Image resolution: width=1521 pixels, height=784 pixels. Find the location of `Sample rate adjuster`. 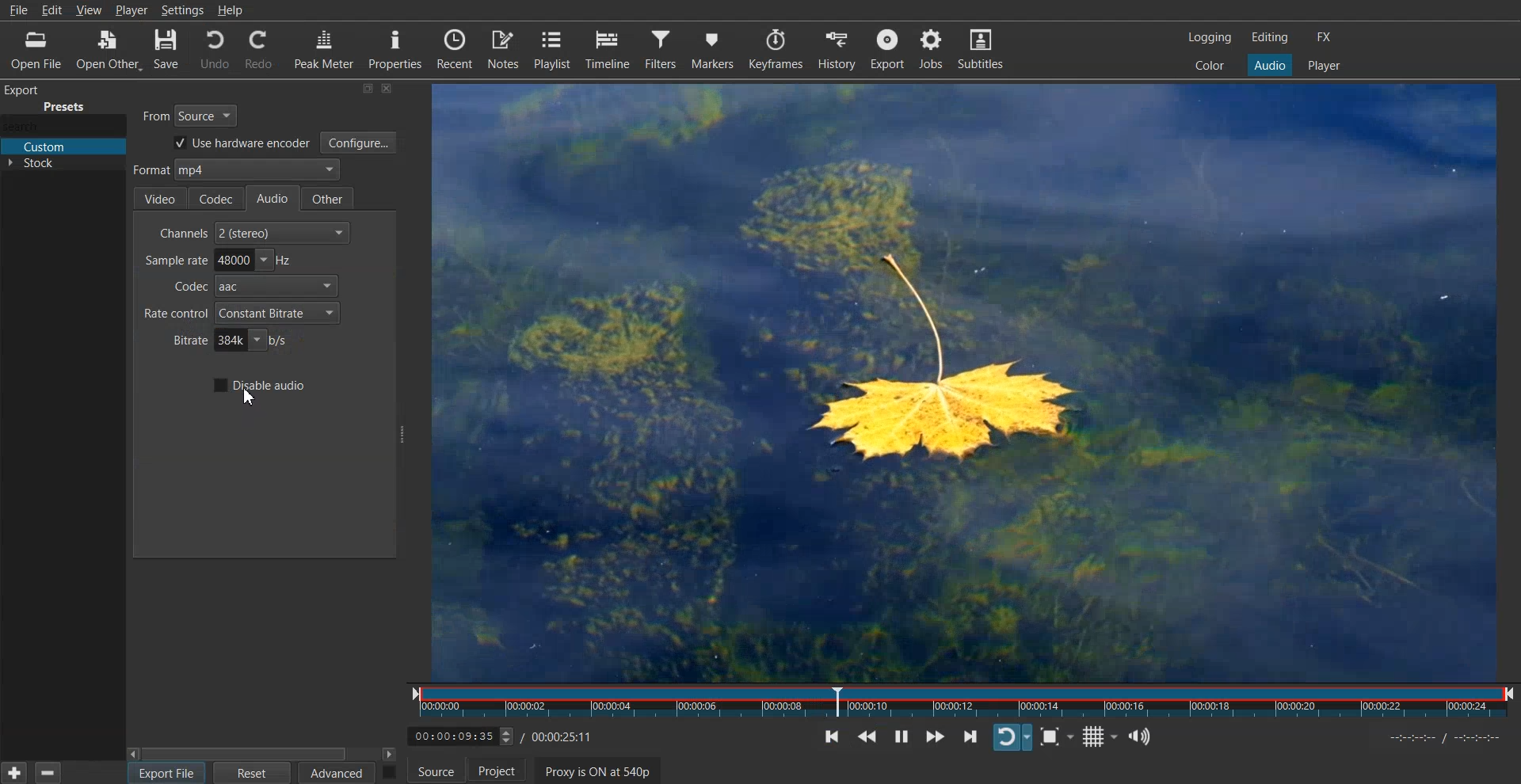

Sample rate adjuster is located at coordinates (216, 260).